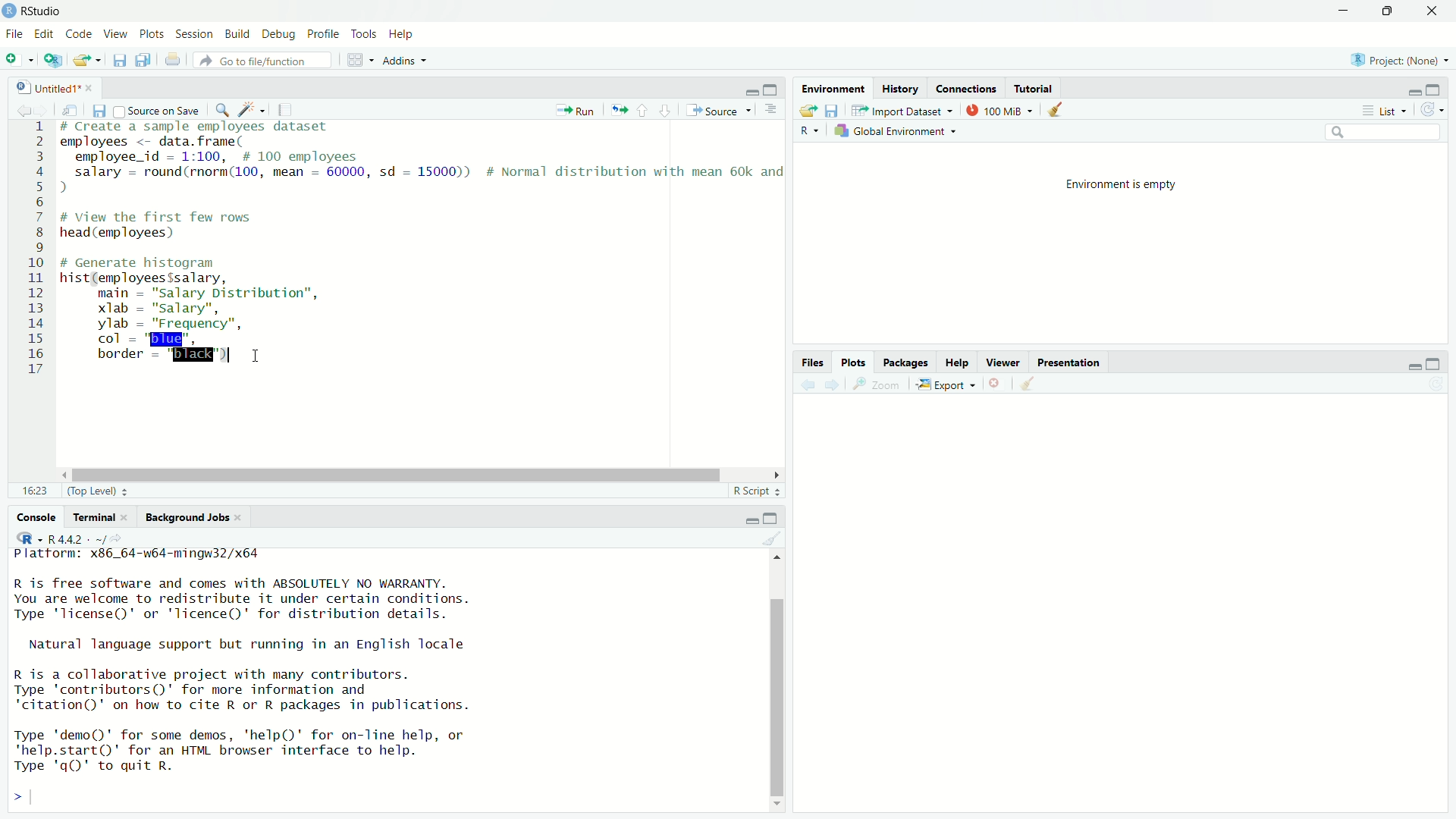  What do you see at coordinates (99, 110) in the screenshot?
I see `save` at bounding box center [99, 110].